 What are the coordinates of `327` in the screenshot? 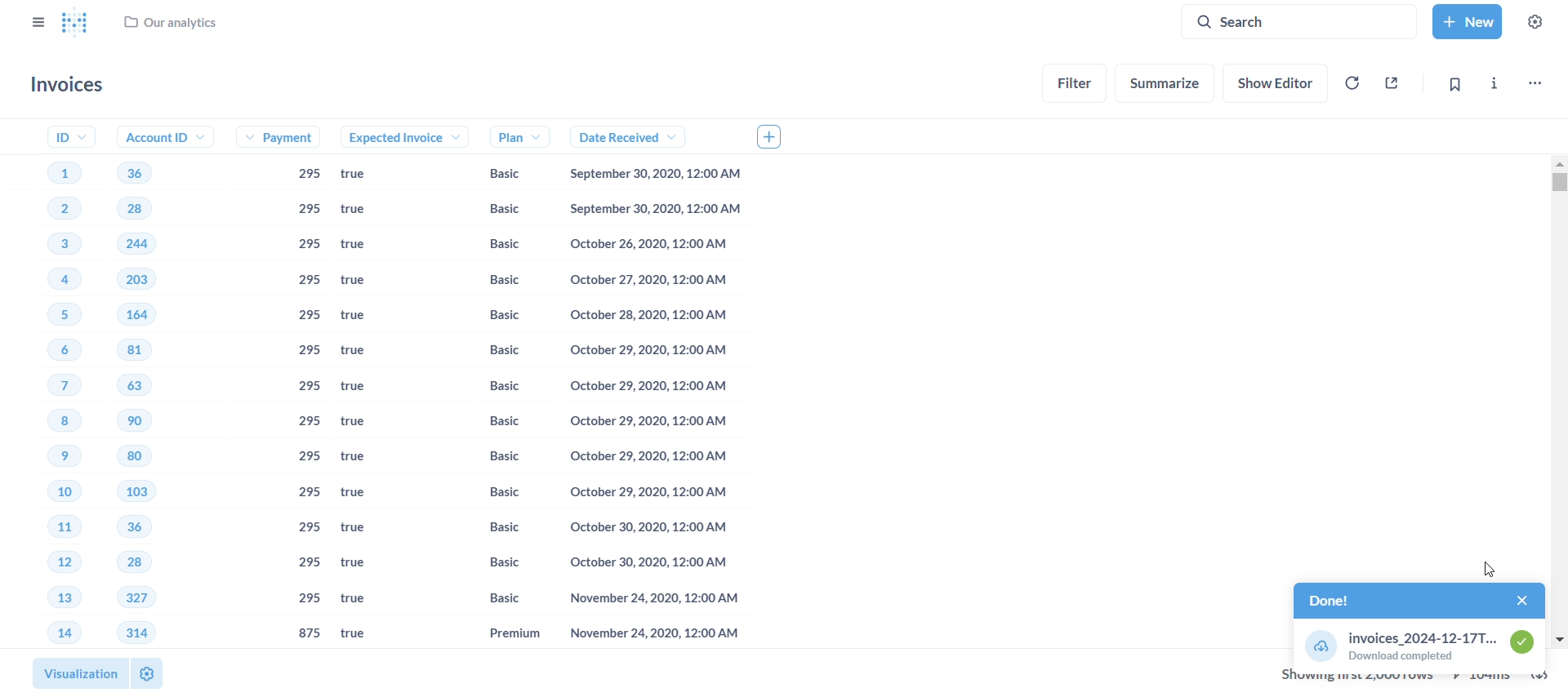 It's located at (136, 597).